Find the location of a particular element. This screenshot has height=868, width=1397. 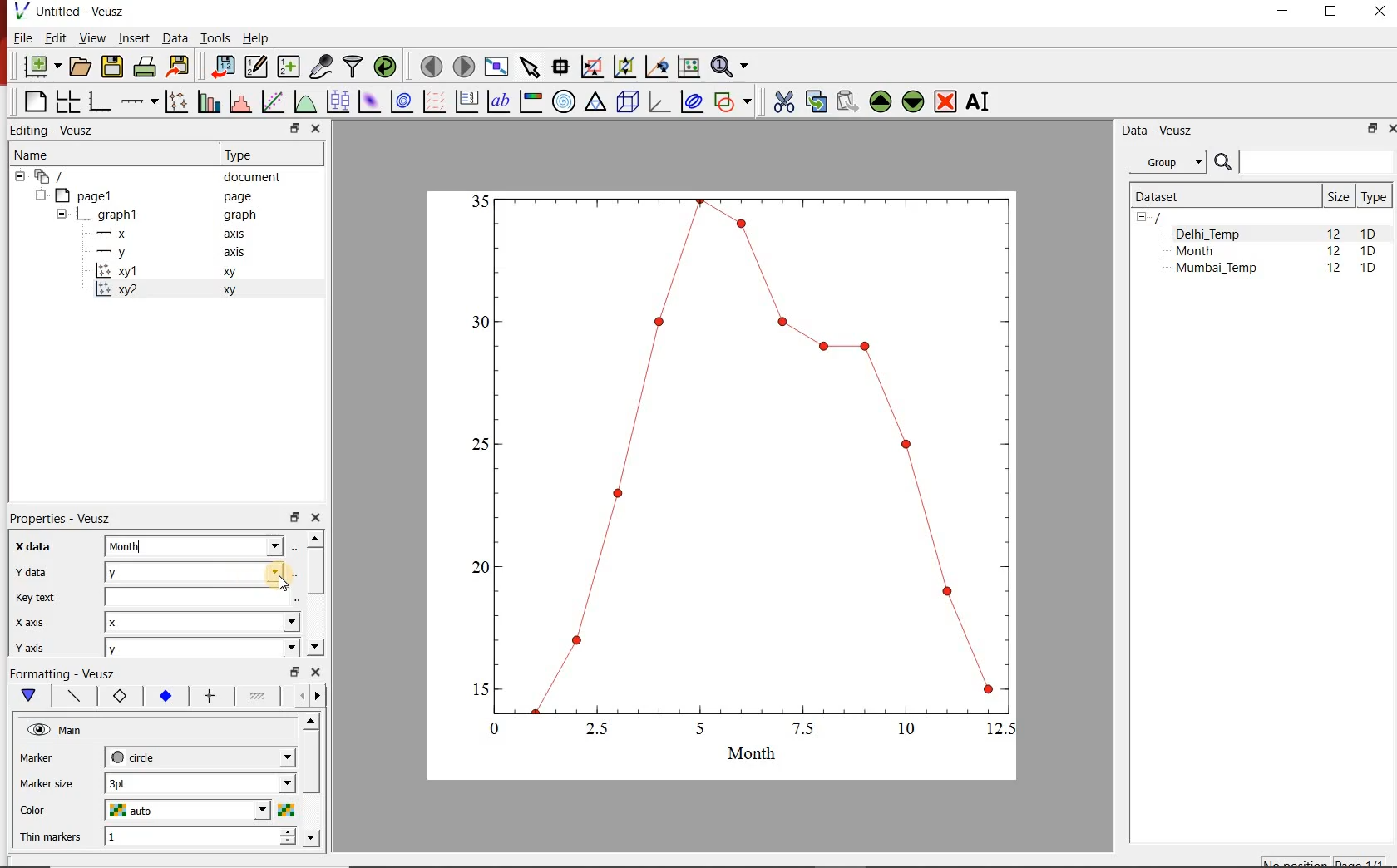

paste widget from the clipboard is located at coordinates (848, 101).